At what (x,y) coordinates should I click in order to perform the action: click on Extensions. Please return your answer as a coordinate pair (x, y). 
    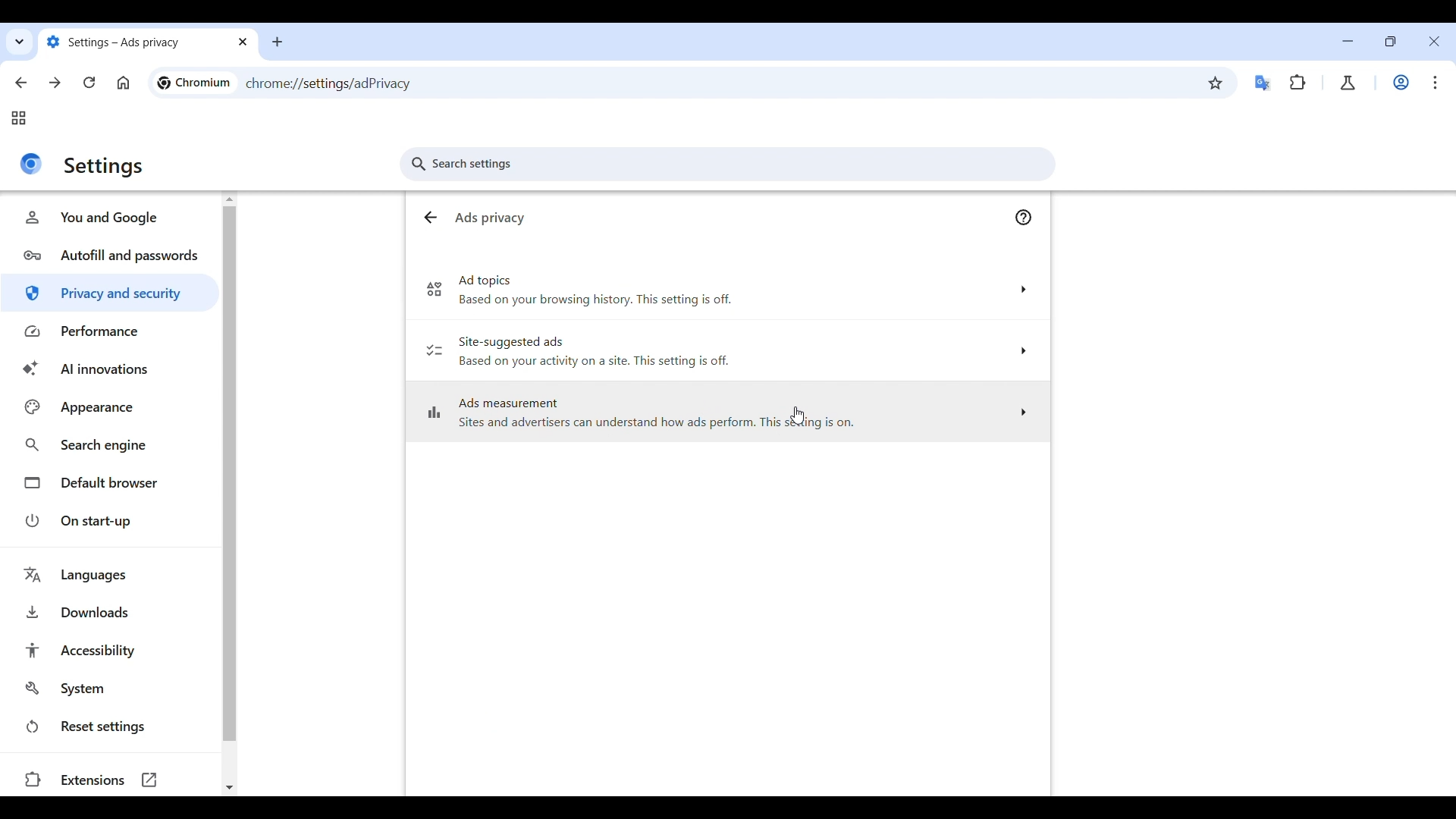
    Looking at the image, I should click on (104, 781).